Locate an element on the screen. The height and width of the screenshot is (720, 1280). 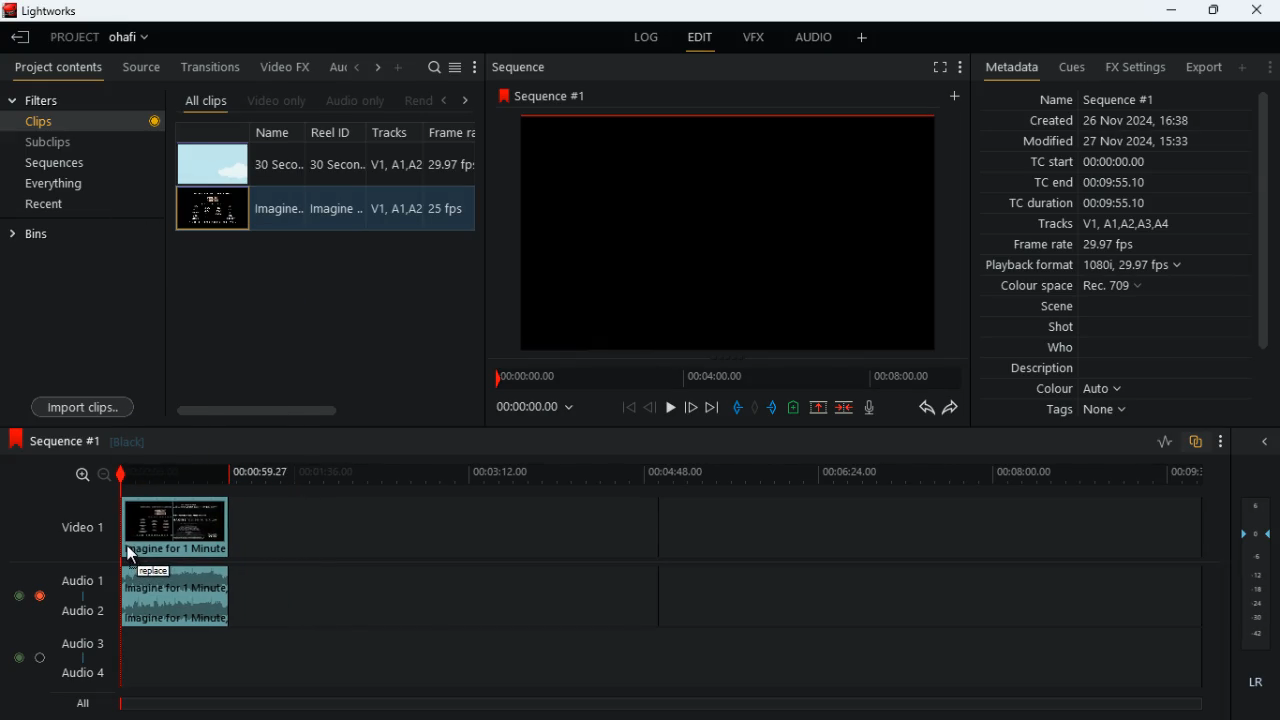
tags is located at coordinates (1083, 416).